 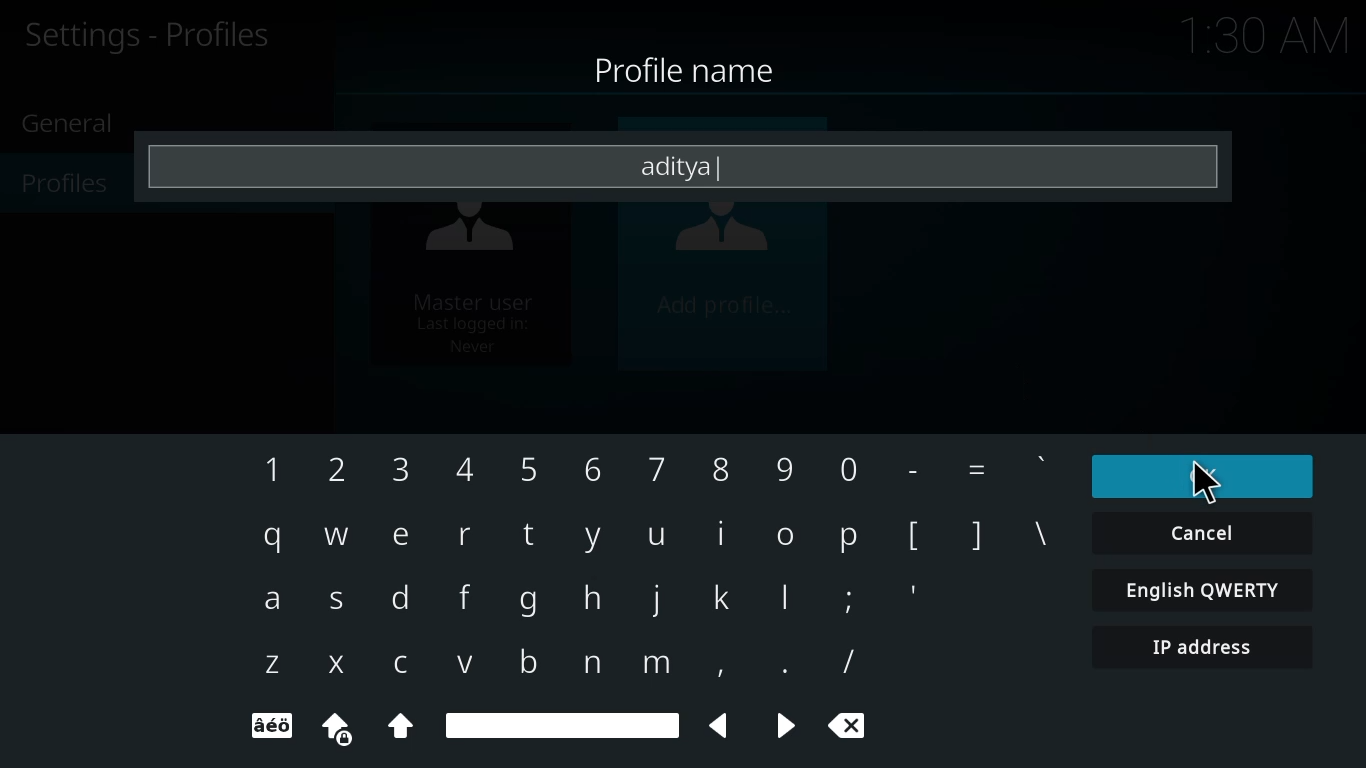 What do you see at coordinates (650, 662) in the screenshot?
I see `m` at bounding box center [650, 662].